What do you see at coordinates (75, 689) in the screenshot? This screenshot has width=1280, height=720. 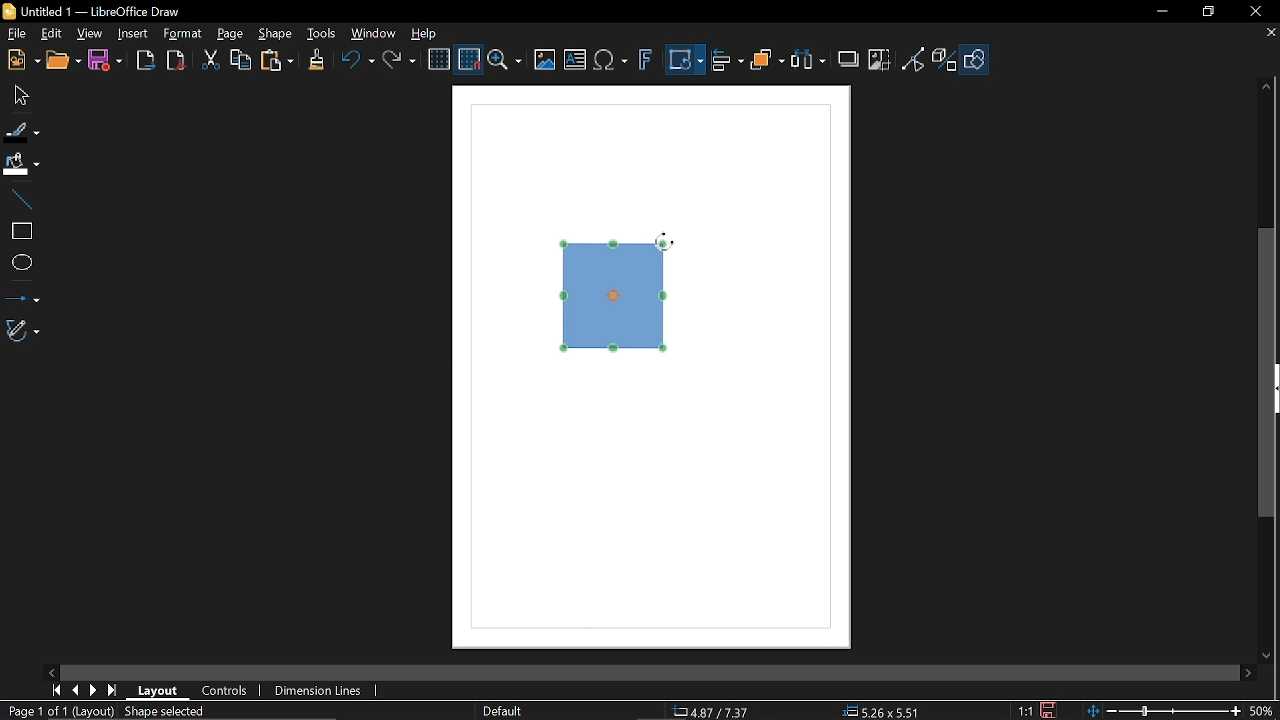 I see `Previous page` at bounding box center [75, 689].